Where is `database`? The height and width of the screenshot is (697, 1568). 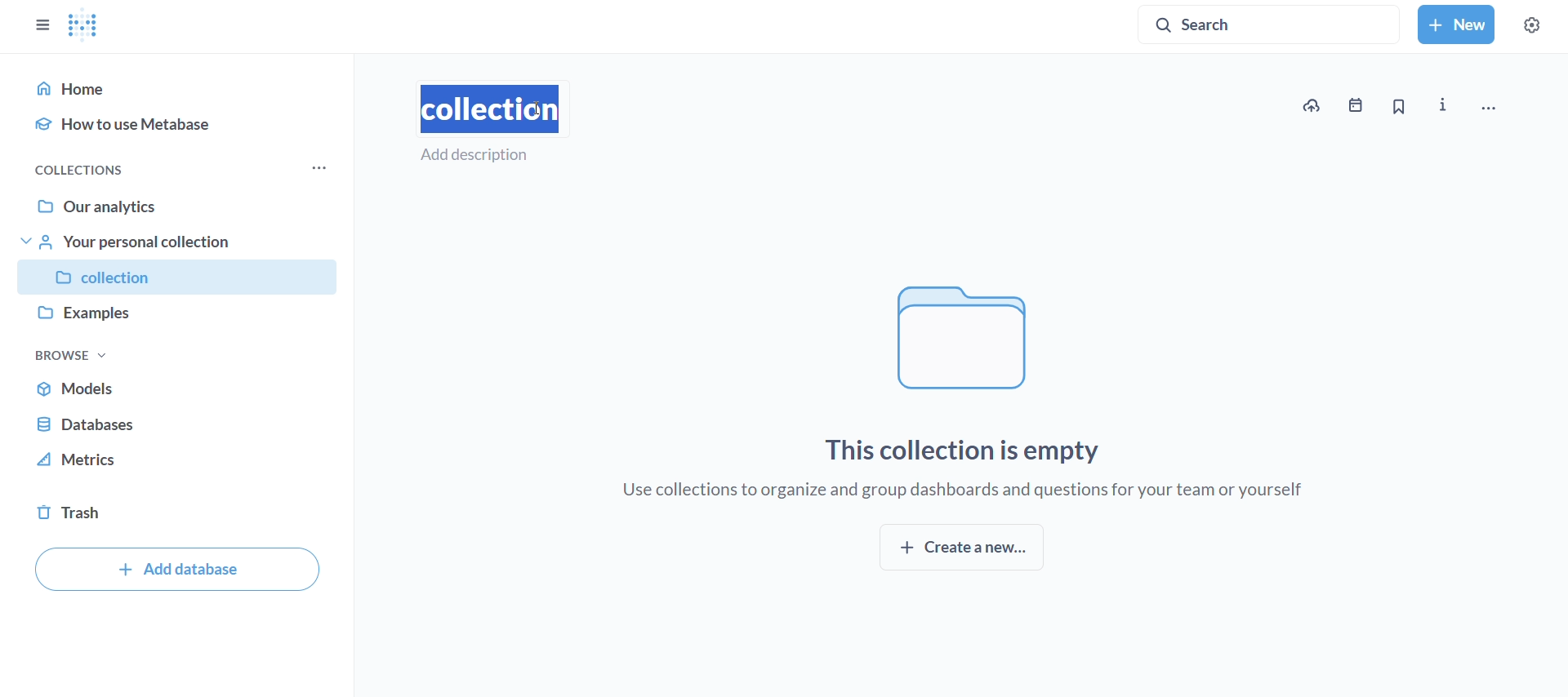
database is located at coordinates (178, 420).